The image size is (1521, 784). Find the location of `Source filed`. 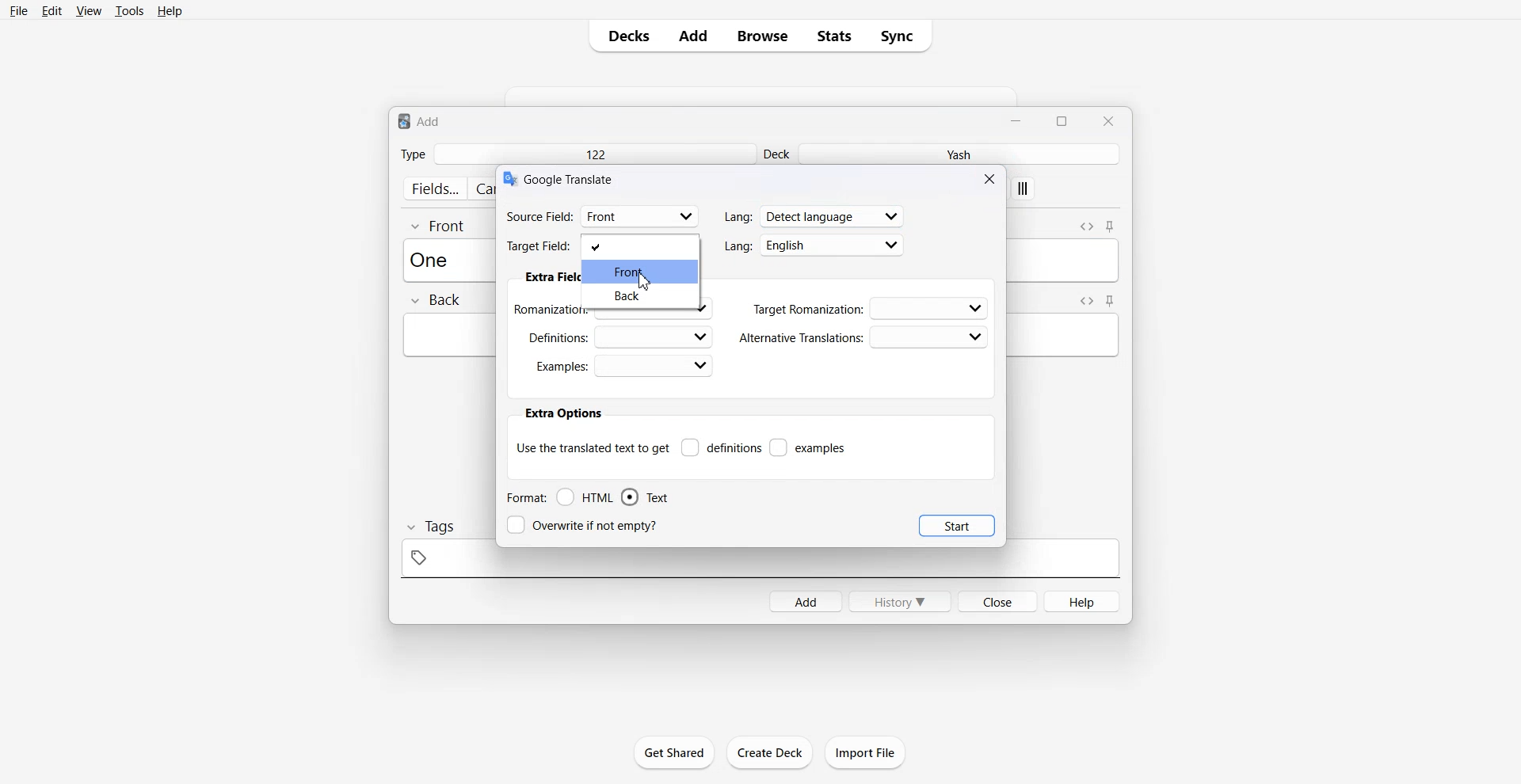

Source filed is located at coordinates (603, 215).